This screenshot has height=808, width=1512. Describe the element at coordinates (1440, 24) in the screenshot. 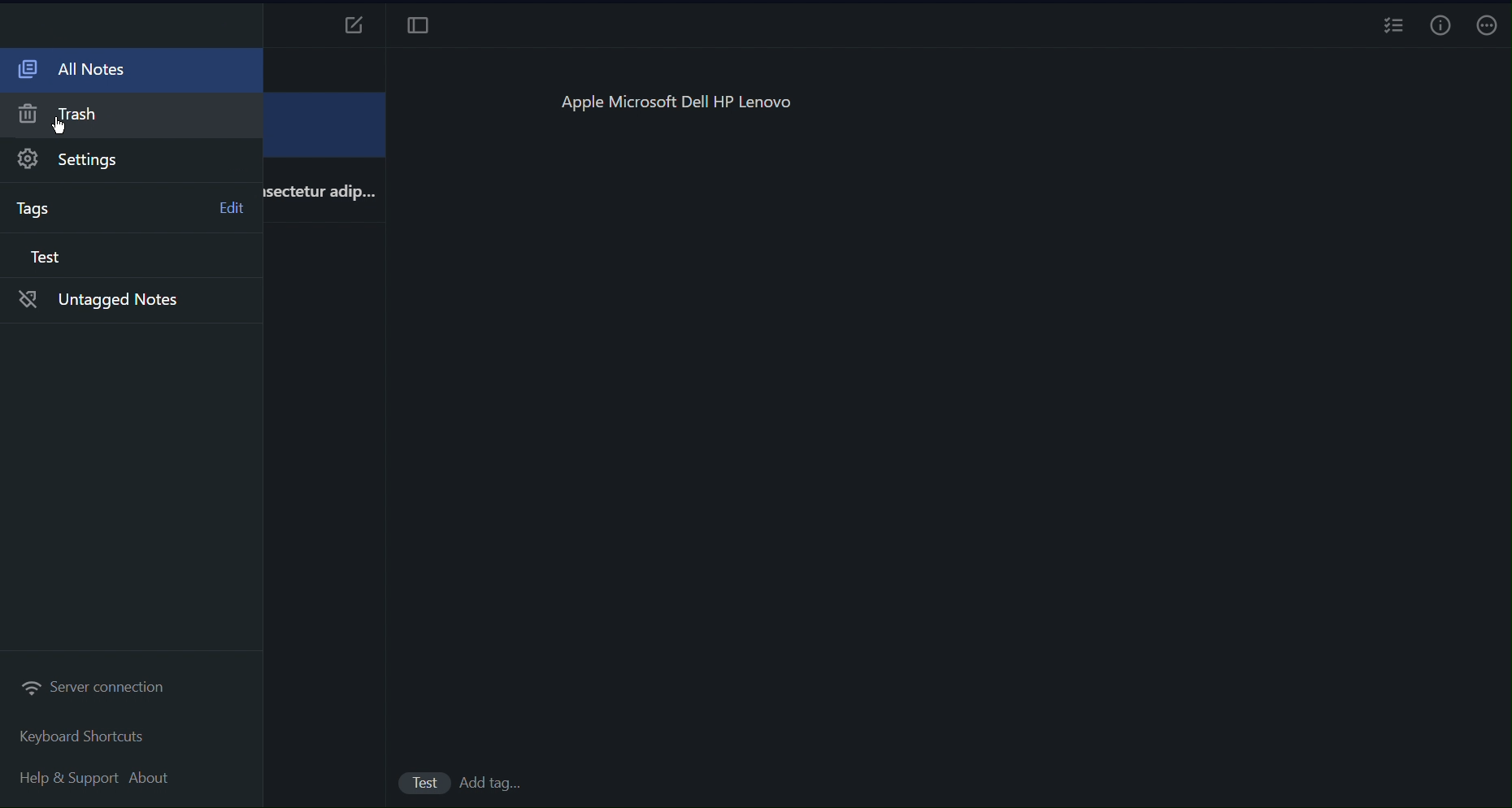

I see `Info` at that location.